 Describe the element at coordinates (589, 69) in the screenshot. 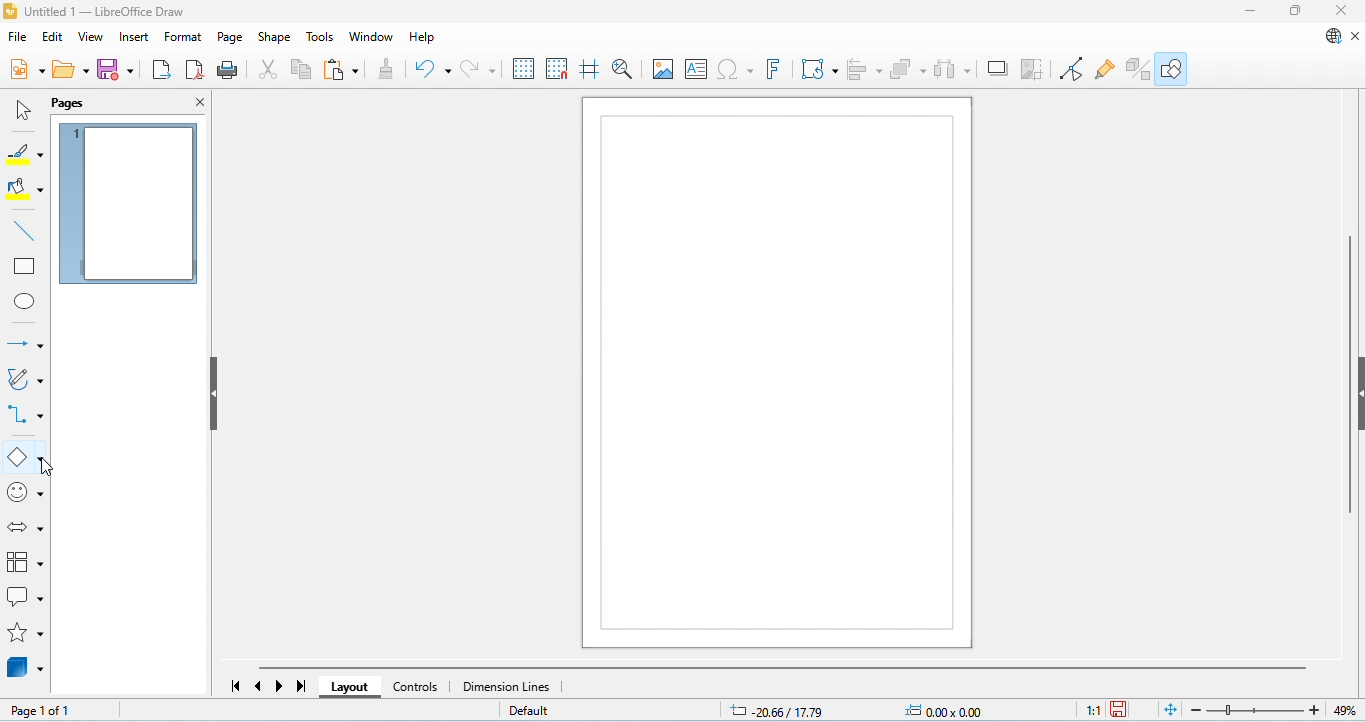

I see `show helplines while moving` at that location.